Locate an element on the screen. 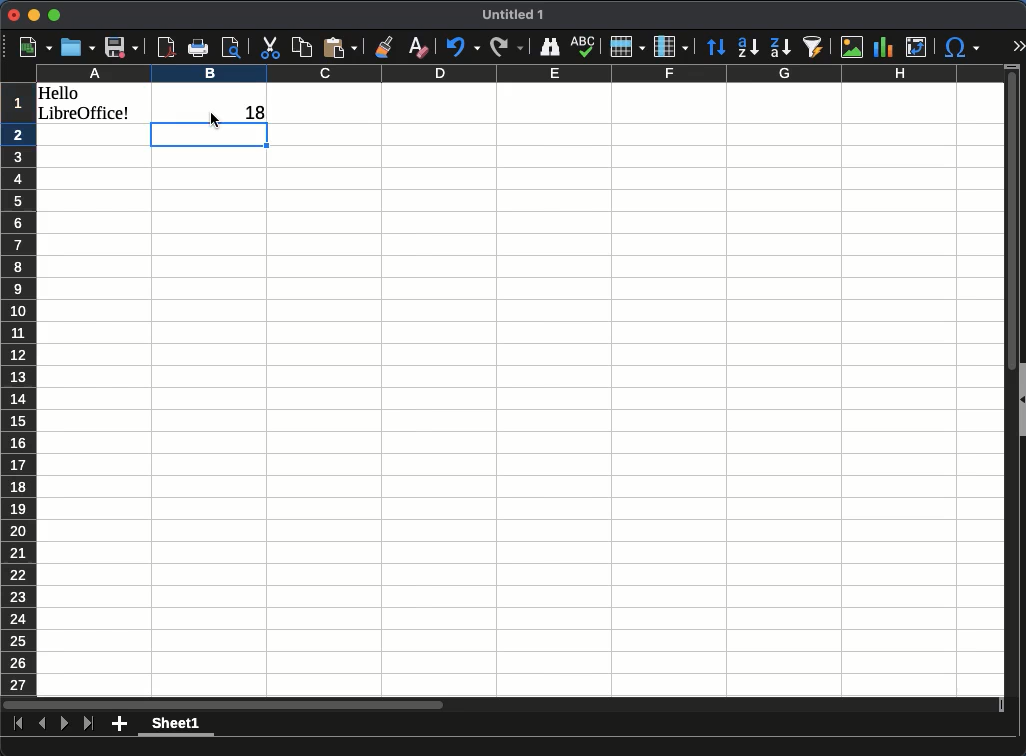 The width and height of the screenshot is (1026, 756). selected cell is located at coordinates (210, 136).